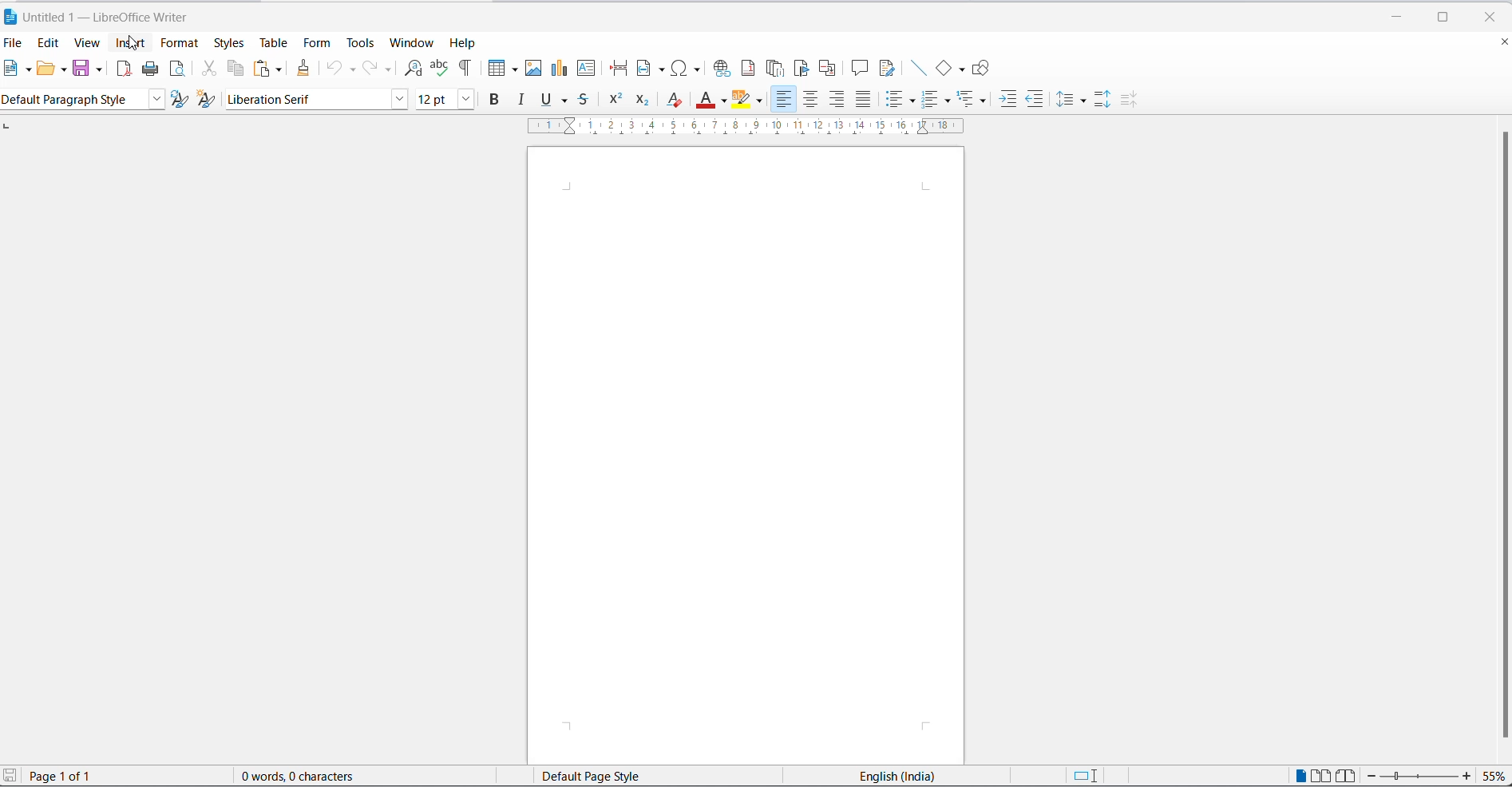 The height and width of the screenshot is (787, 1512). I want to click on underline, so click(566, 101).